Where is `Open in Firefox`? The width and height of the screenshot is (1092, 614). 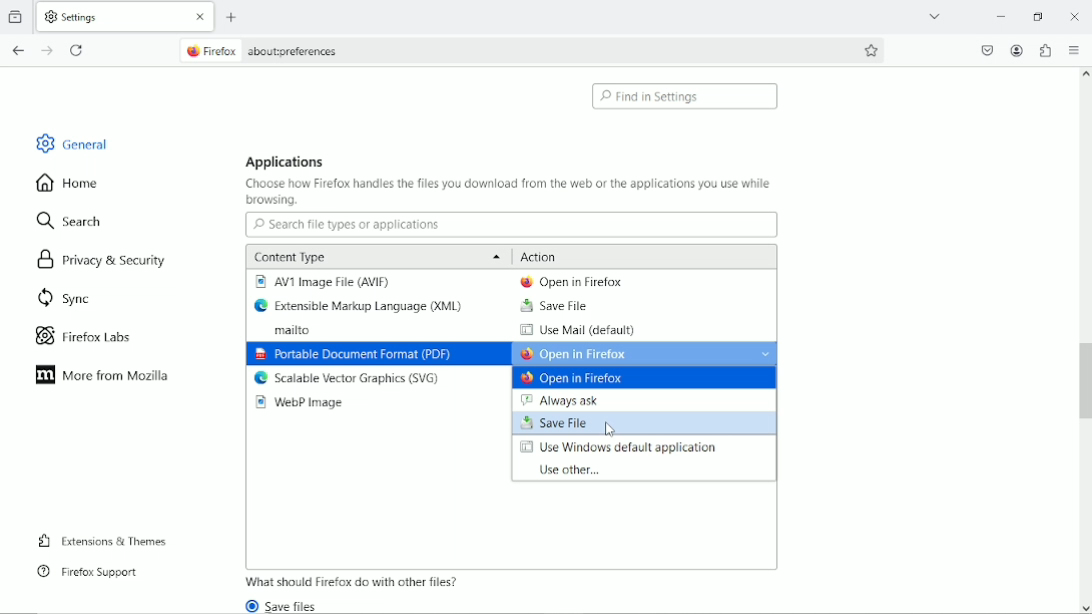 Open in Firefox is located at coordinates (579, 379).